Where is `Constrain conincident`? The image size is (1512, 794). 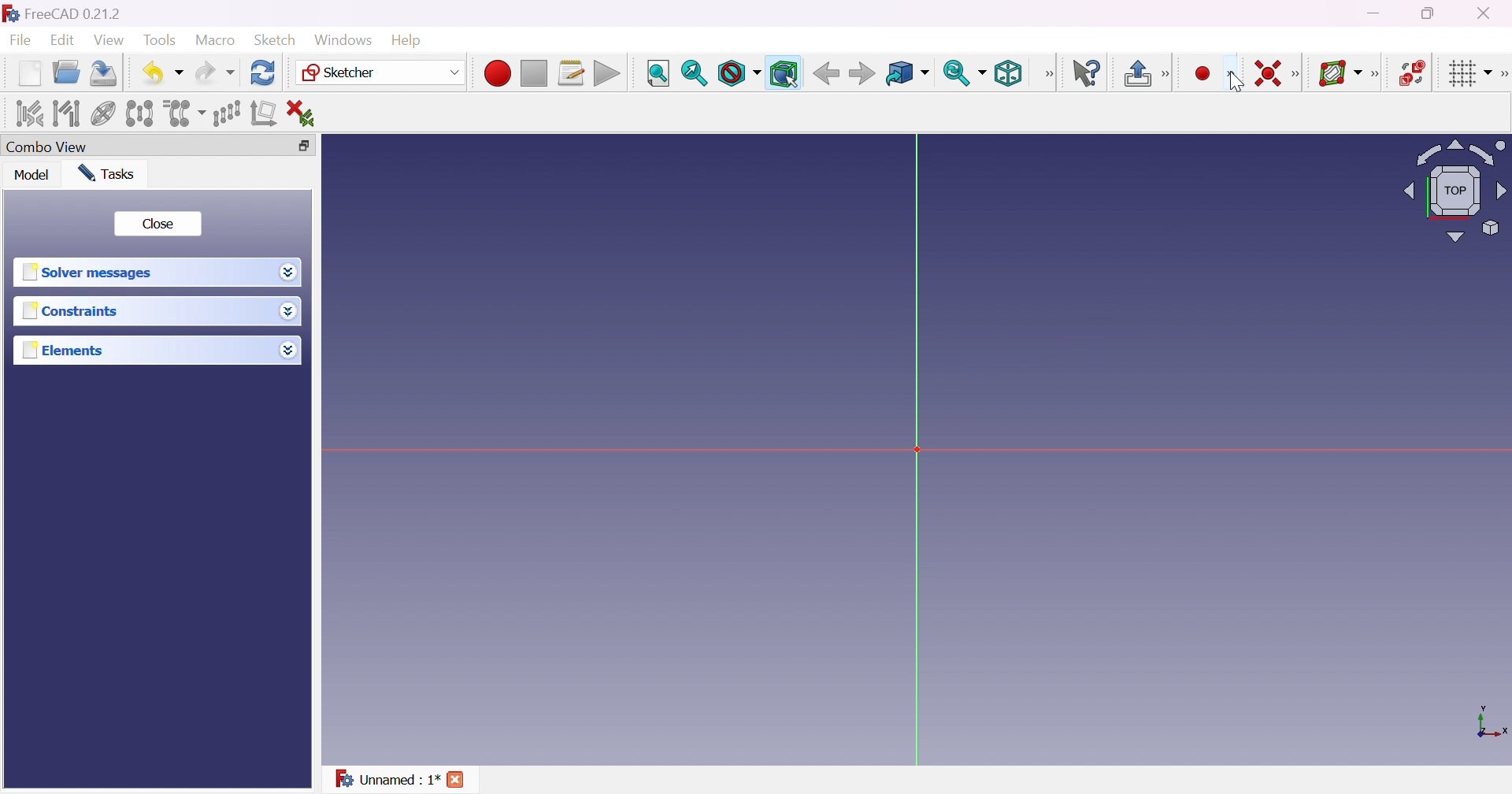 Constrain conincident is located at coordinates (1269, 75).